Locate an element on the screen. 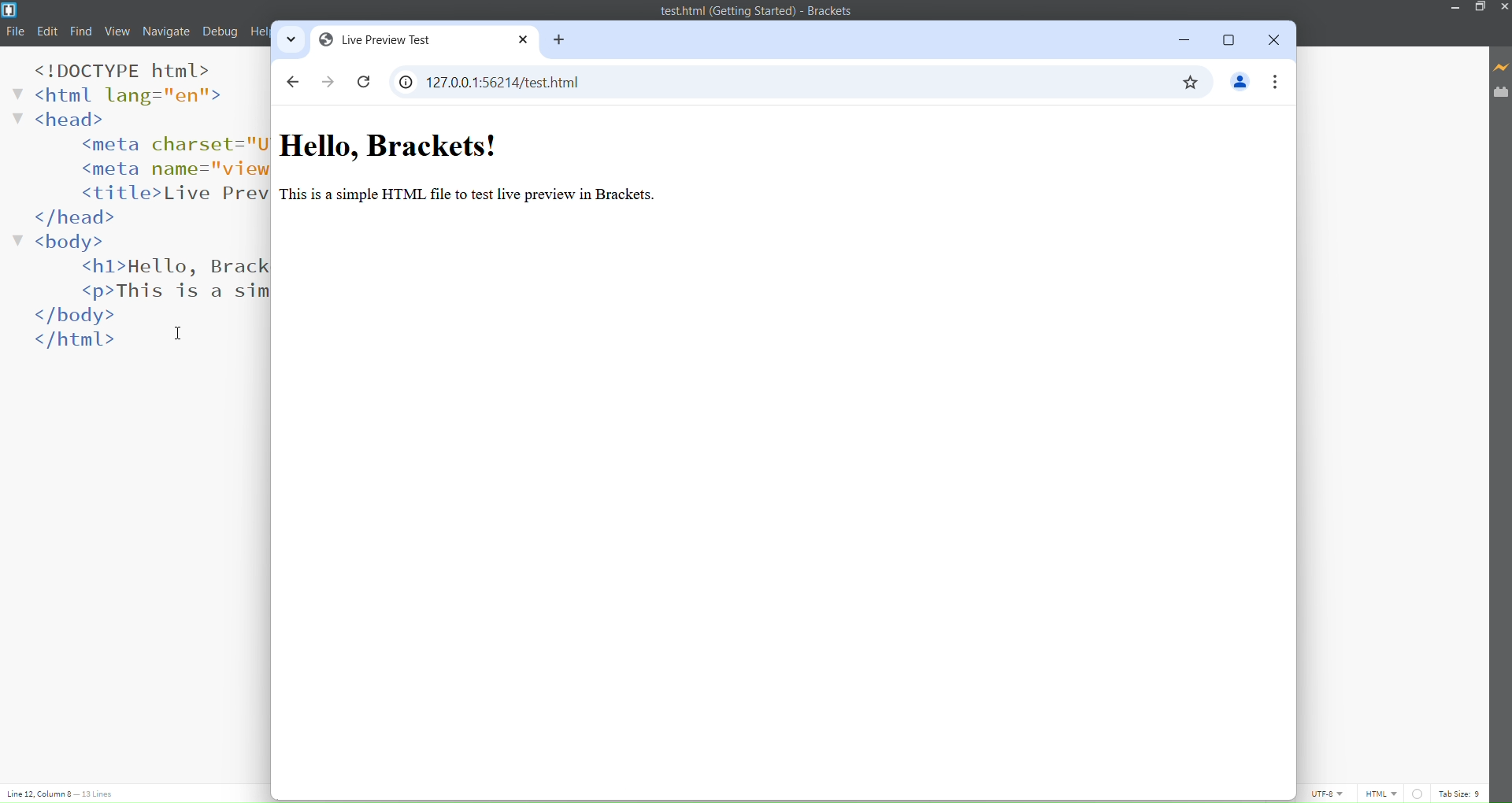 The width and height of the screenshot is (1512, 803). Maximize is located at coordinates (1228, 41).